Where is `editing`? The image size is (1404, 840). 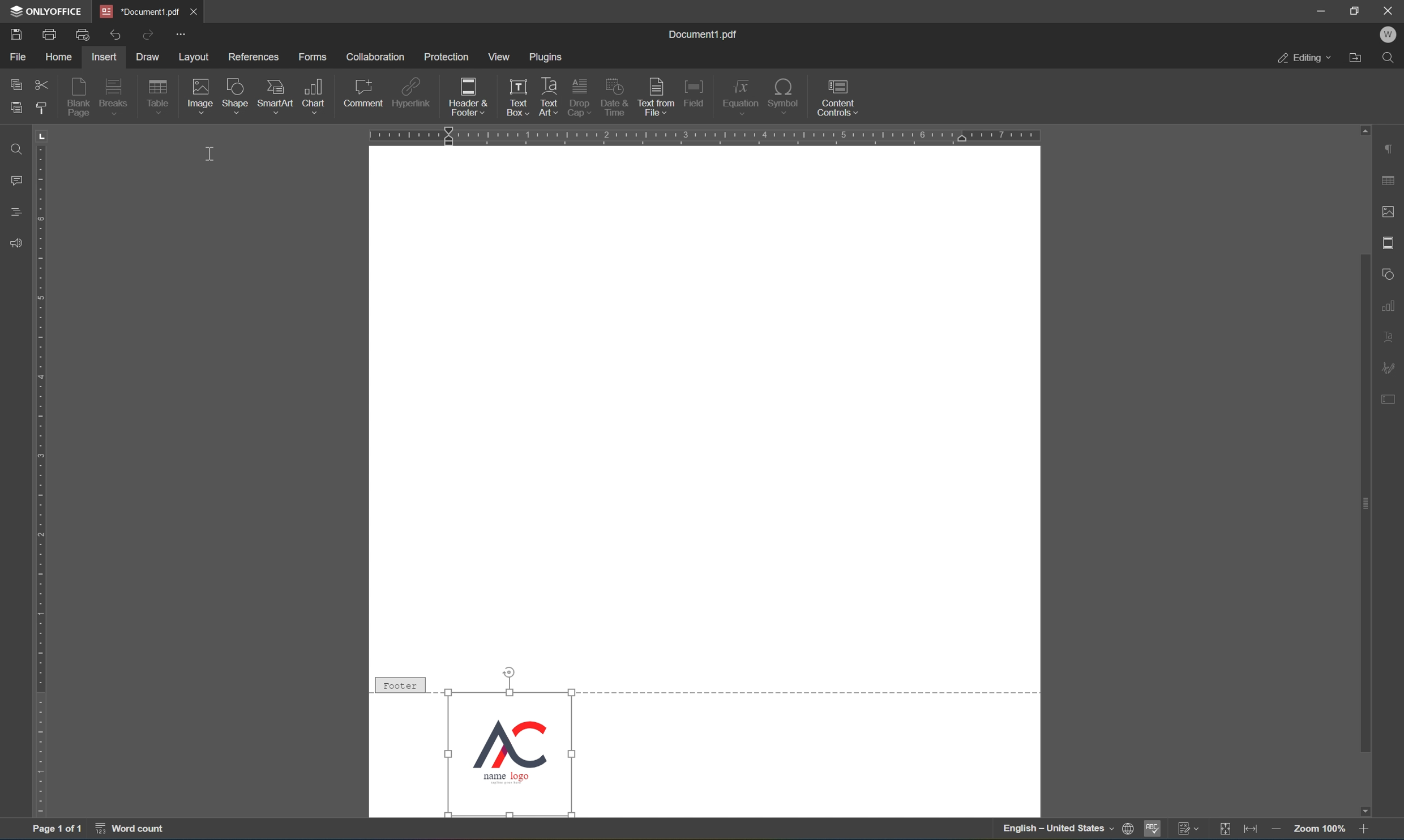
editing is located at coordinates (1304, 57).